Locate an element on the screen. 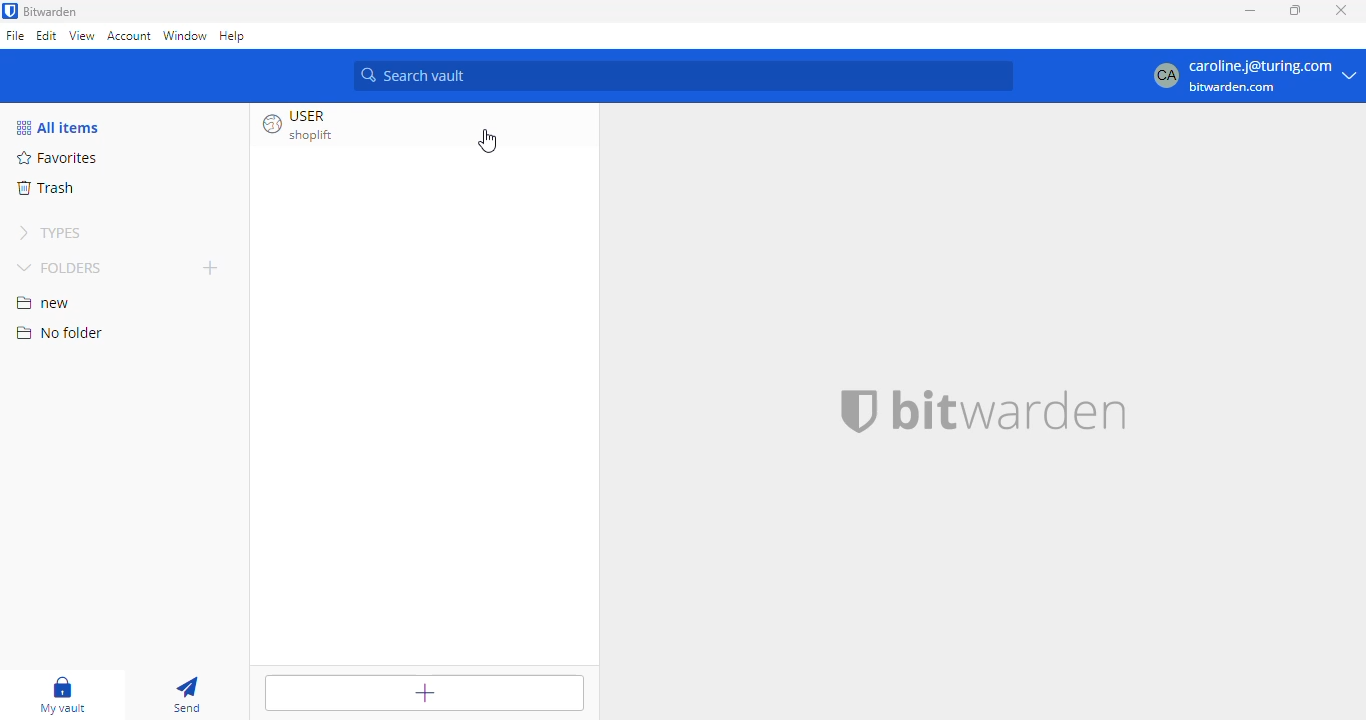  add folder is located at coordinates (211, 267).